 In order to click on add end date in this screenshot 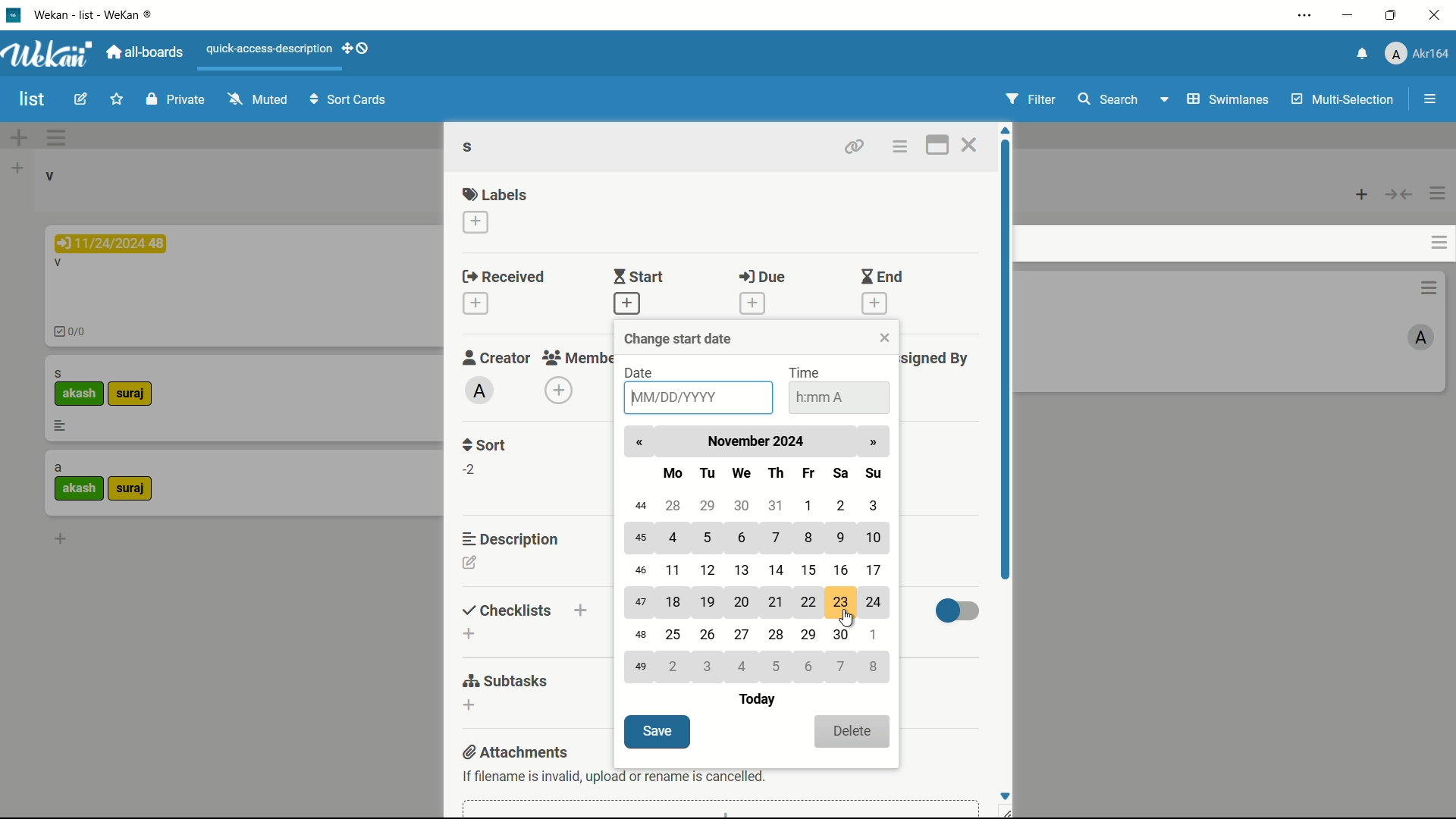, I will do `click(876, 305)`.